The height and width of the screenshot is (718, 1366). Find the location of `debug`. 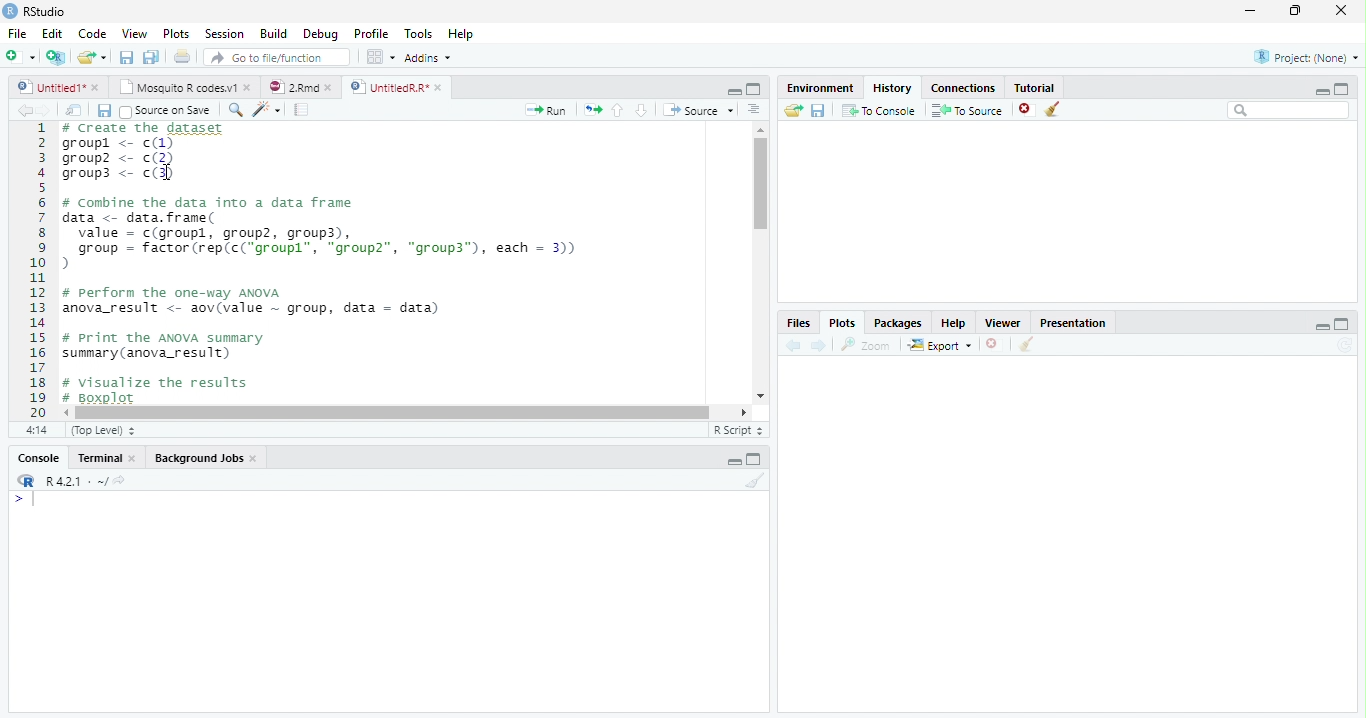

debug is located at coordinates (323, 35).